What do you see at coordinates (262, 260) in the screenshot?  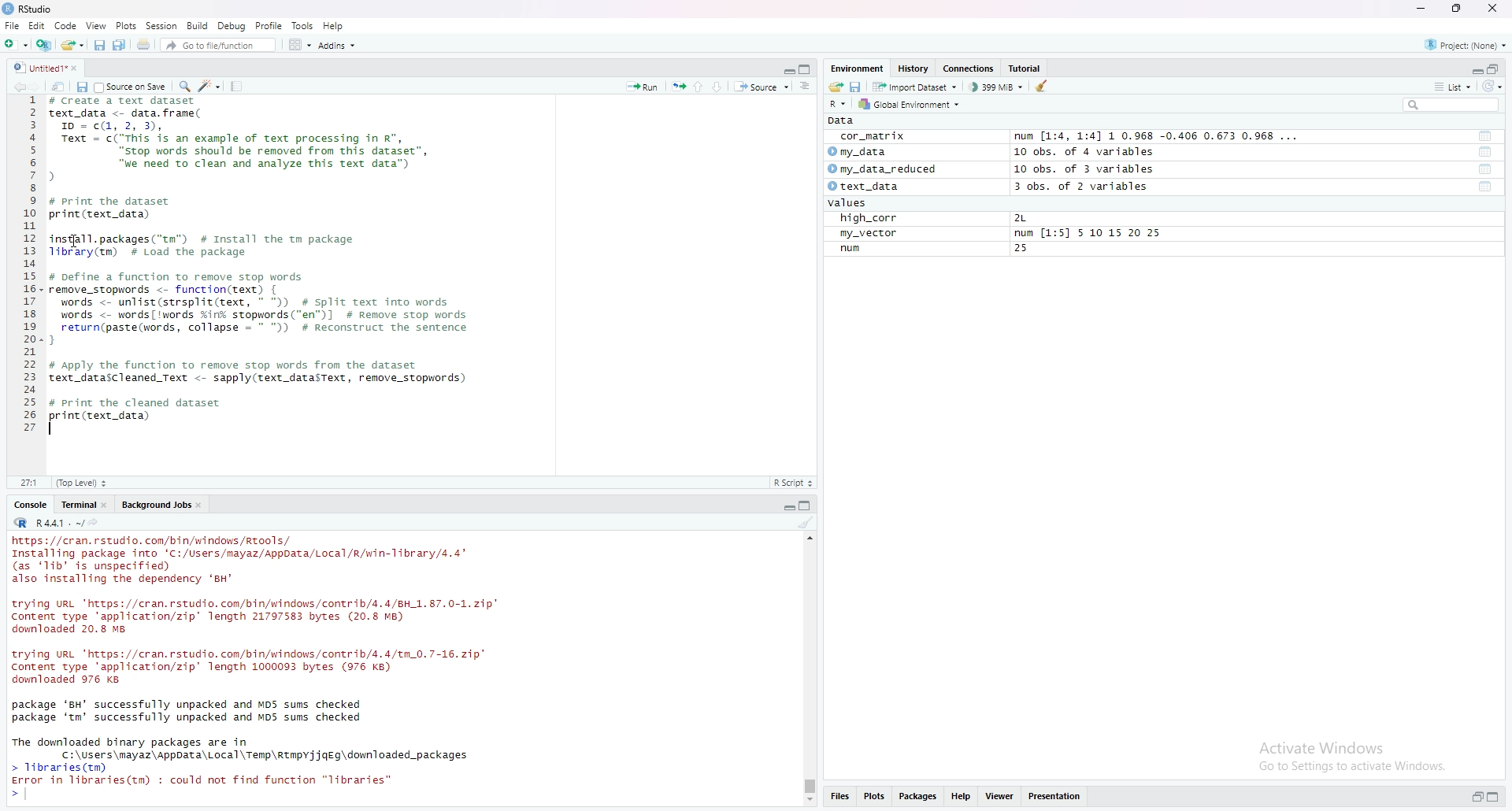 I see `data frame code` at bounding box center [262, 260].